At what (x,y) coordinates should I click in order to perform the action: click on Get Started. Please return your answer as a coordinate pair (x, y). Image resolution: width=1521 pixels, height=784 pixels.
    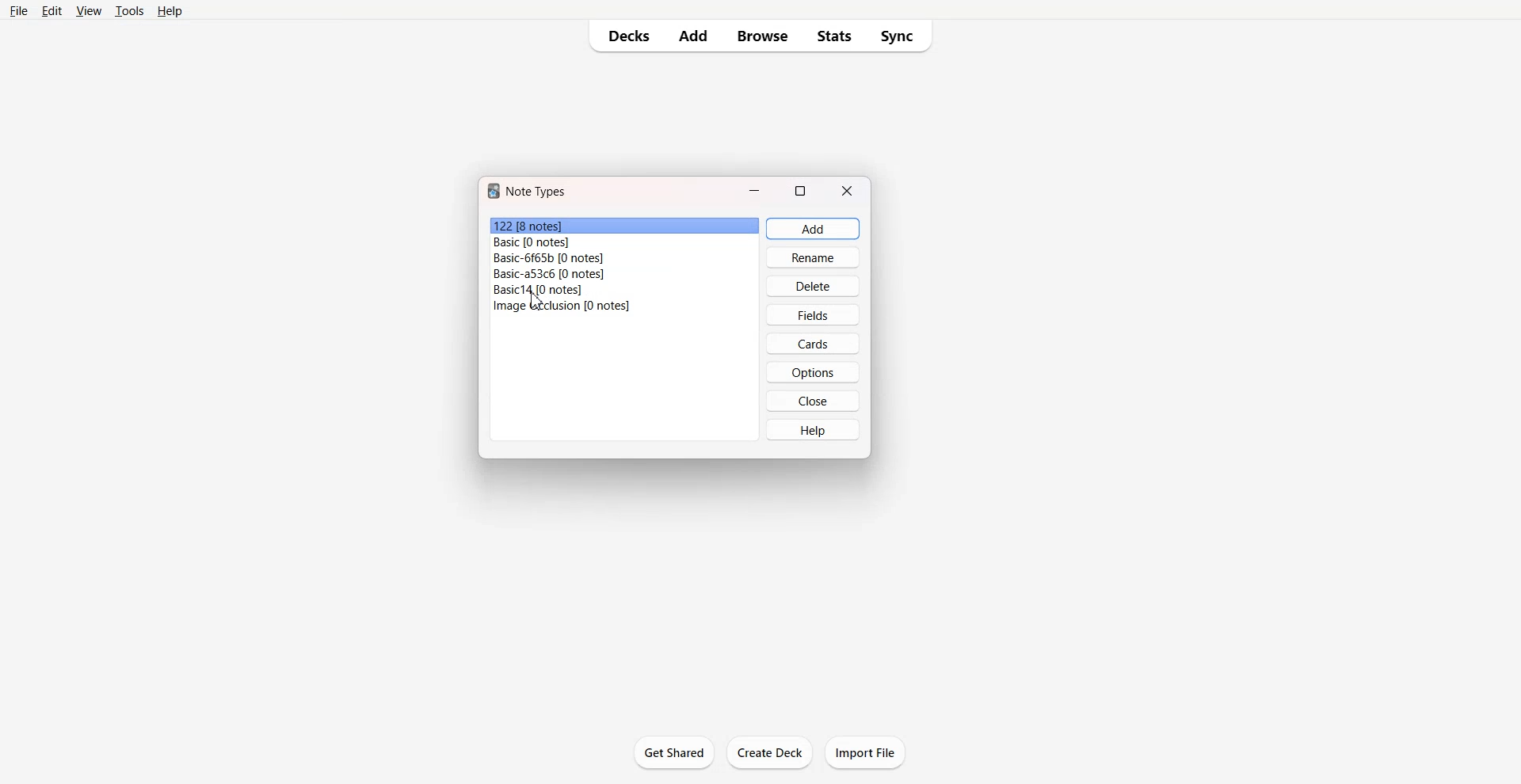
    Looking at the image, I should click on (675, 752).